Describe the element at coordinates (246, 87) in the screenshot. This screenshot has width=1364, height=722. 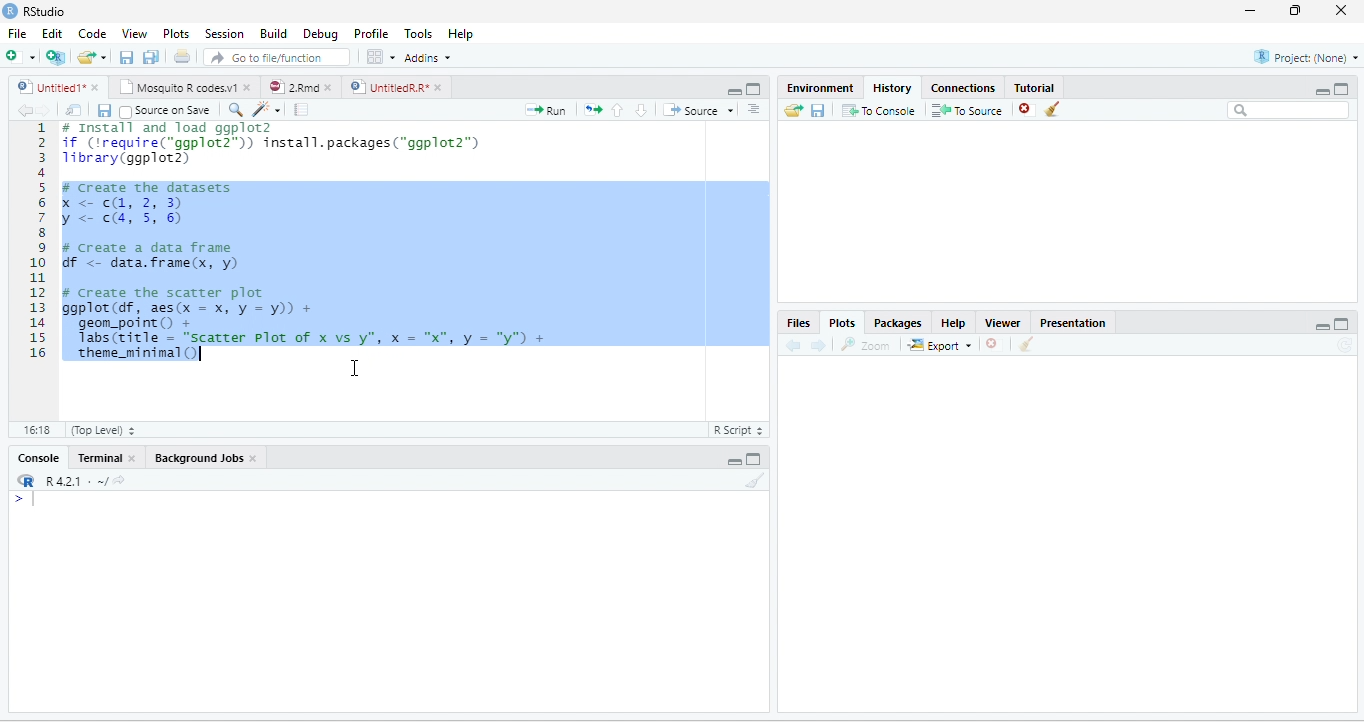
I see `close` at that location.